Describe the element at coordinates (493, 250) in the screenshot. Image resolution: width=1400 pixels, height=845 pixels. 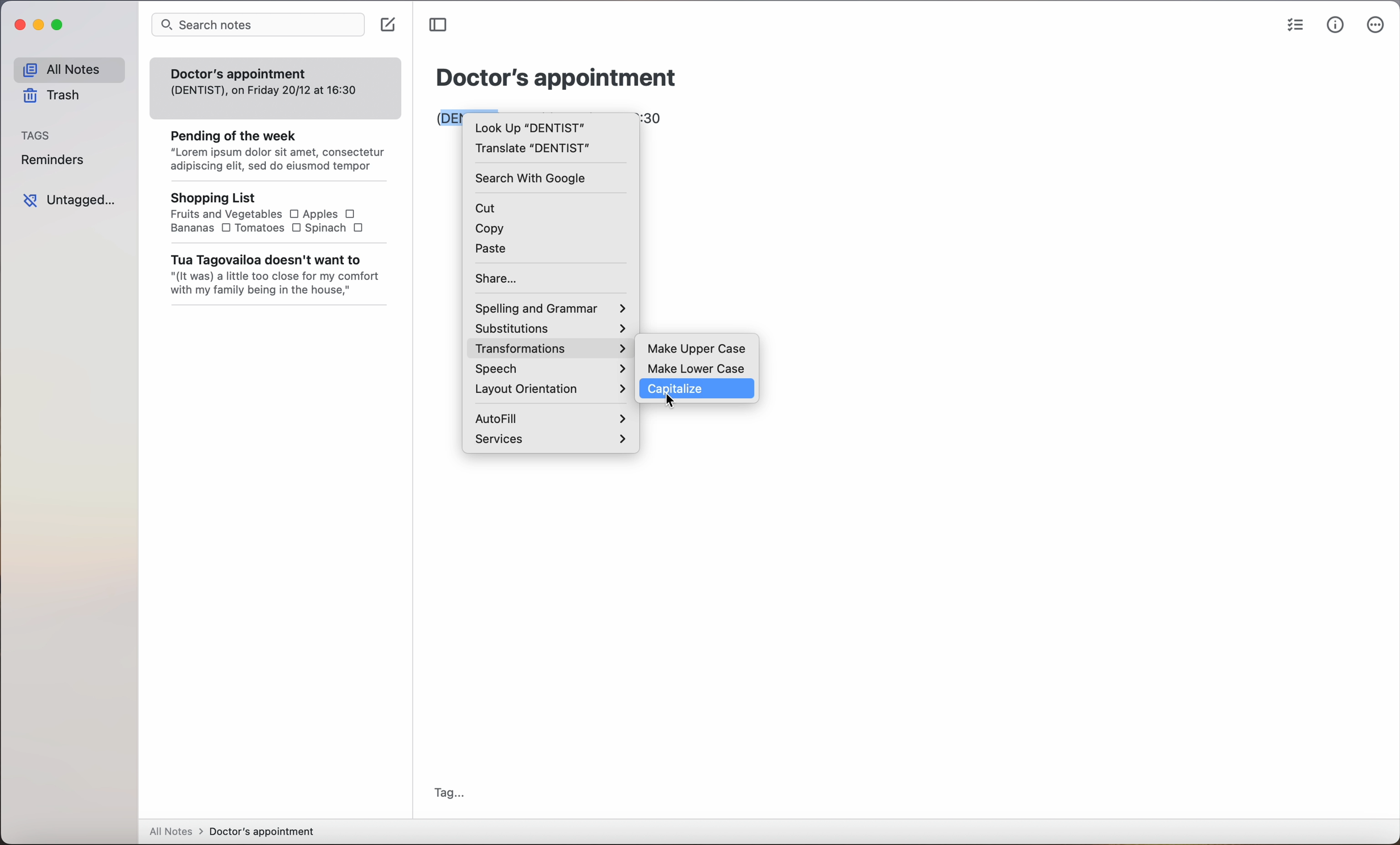
I see `paste` at that location.